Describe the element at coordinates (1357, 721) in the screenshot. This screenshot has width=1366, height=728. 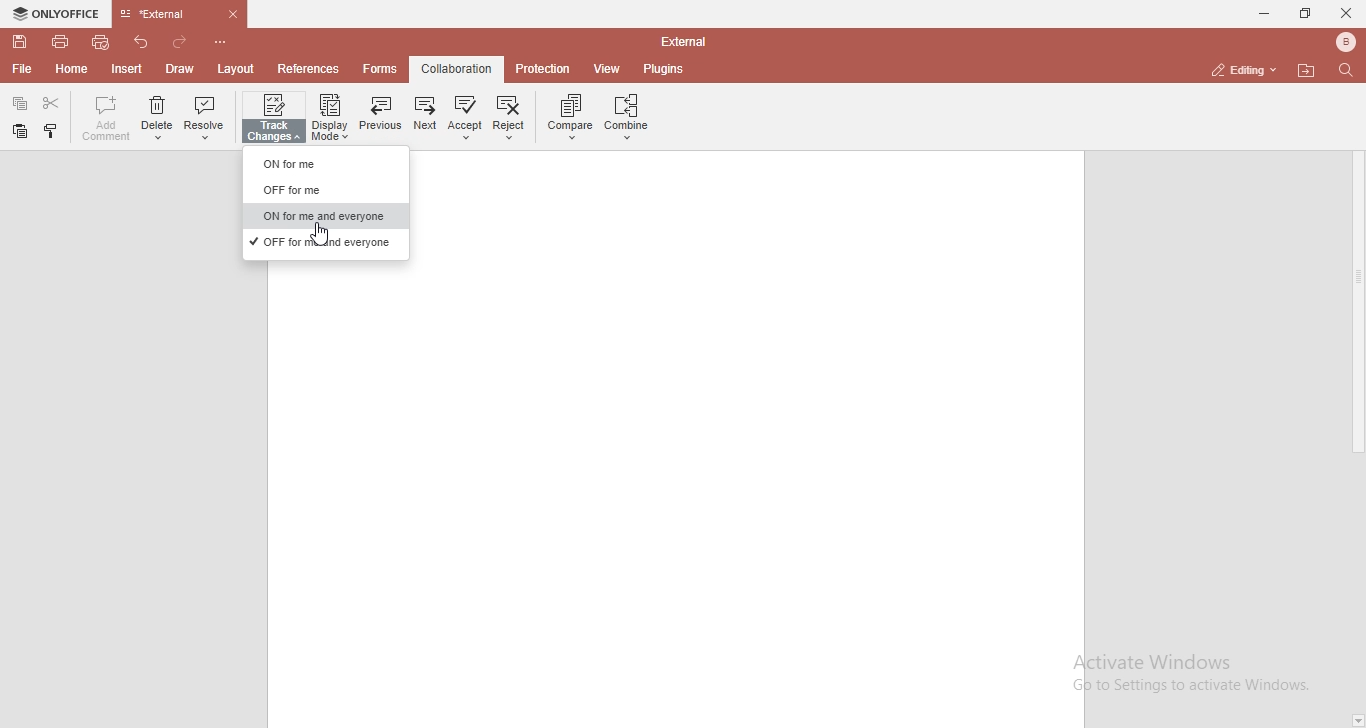
I see `page down` at that location.